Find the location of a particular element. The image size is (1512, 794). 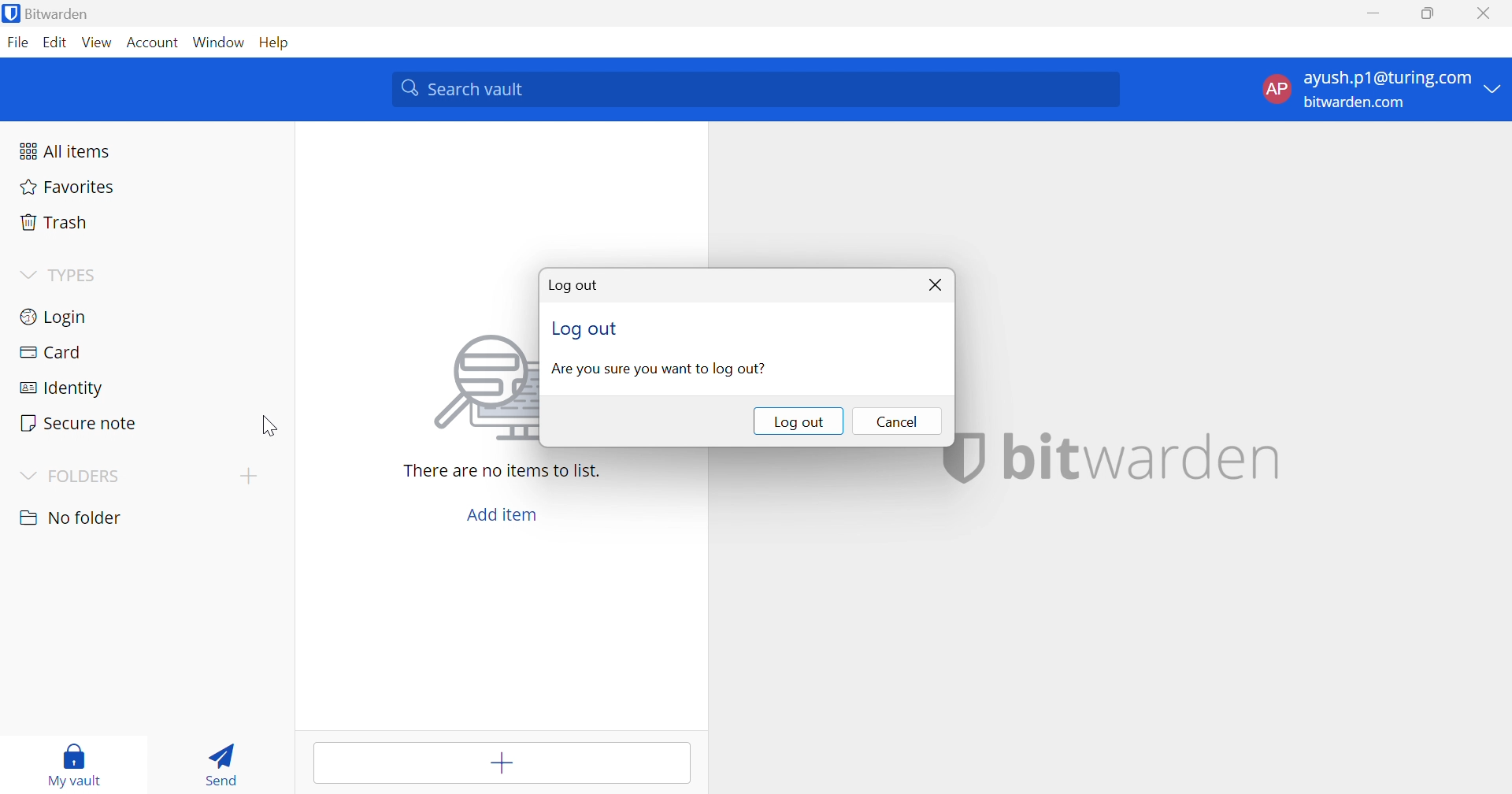

FOLDERS is located at coordinates (89, 477).